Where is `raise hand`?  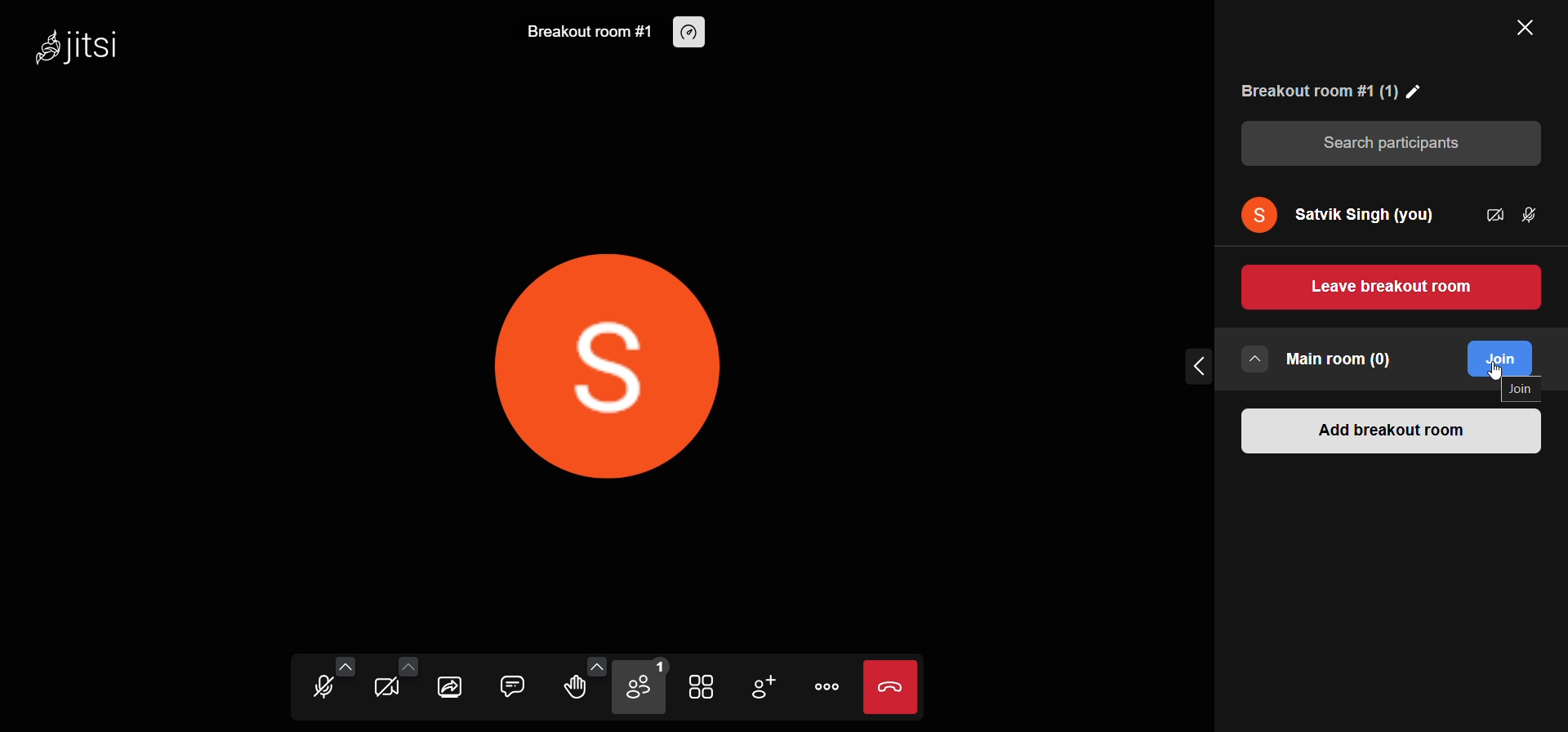
raise hand is located at coordinates (579, 690).